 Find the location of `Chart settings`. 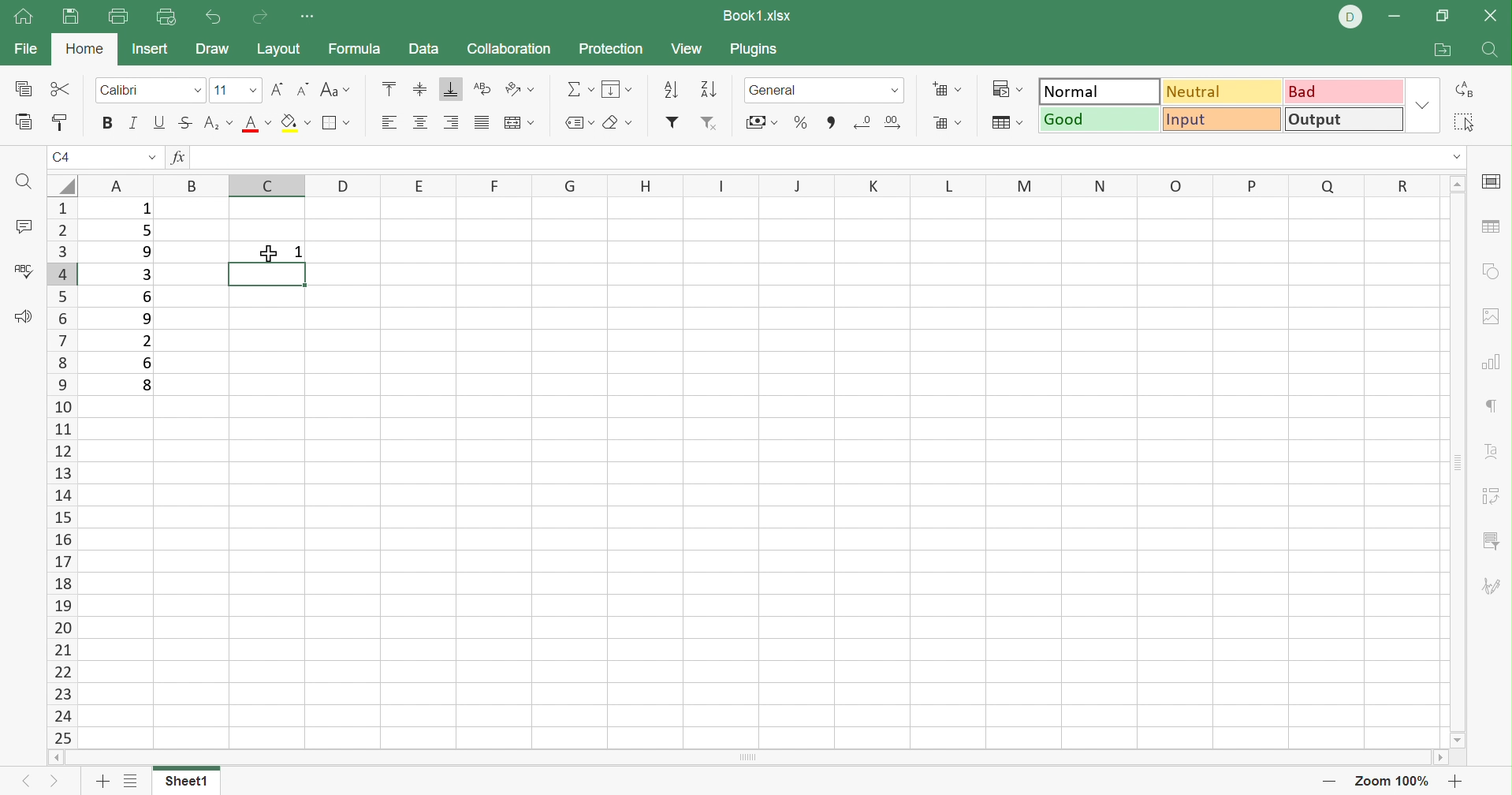

Chart settings is located at coordinates (1495, 361).